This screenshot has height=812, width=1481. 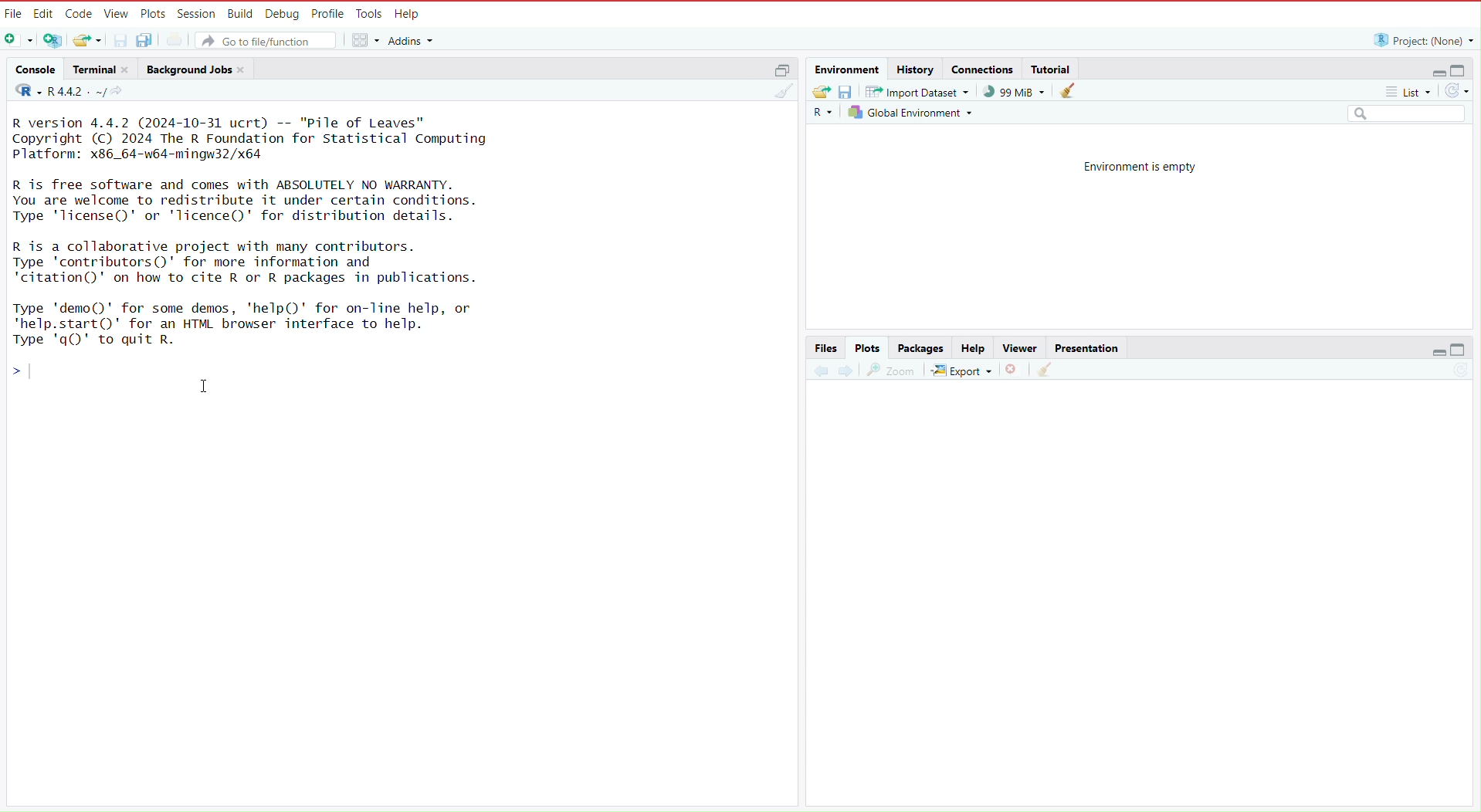 I want to click on edit, so click(x=45, y=12).